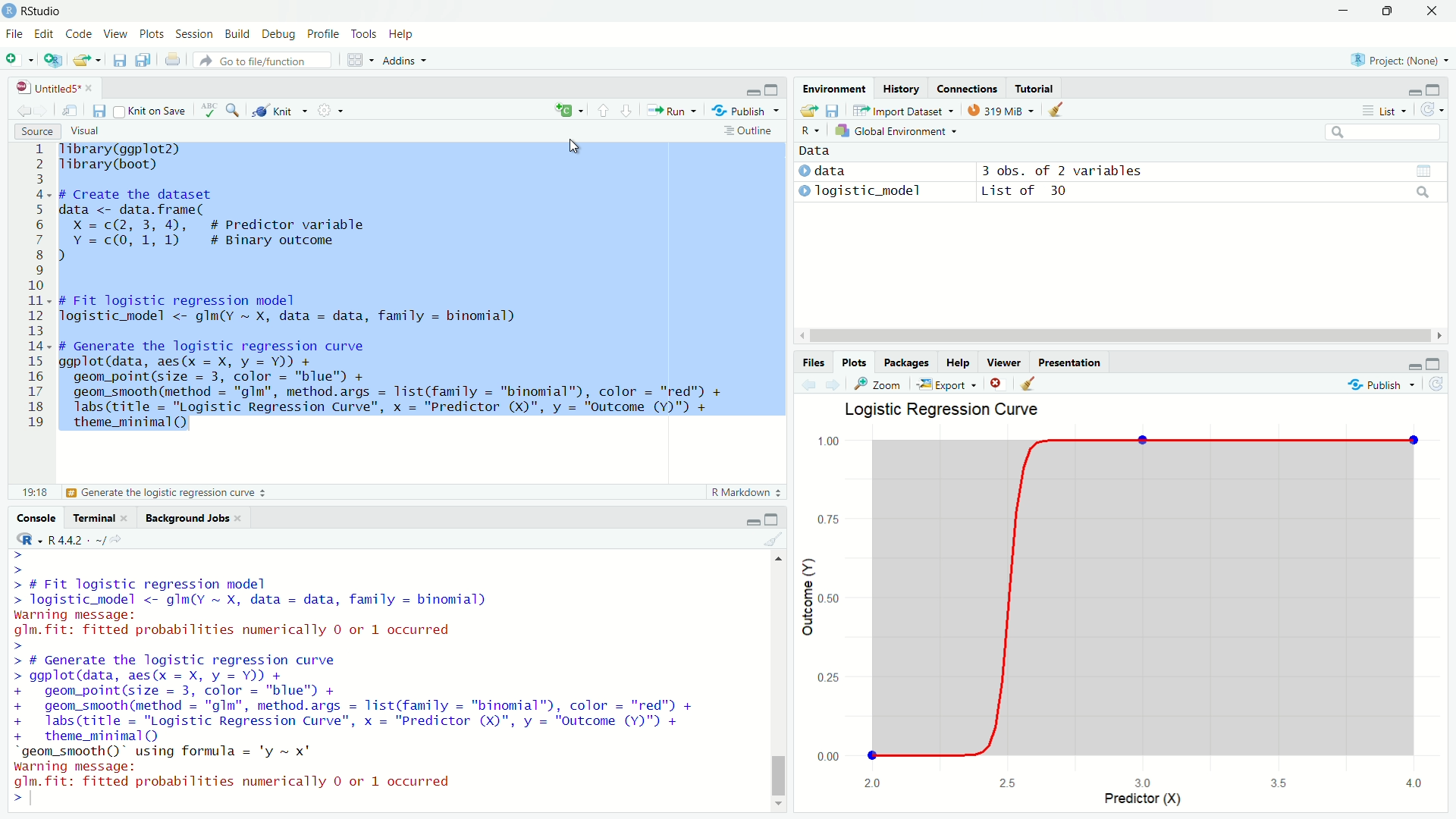 The height and width of the screenshot is (819, 1456). I want to click on Tutorial, so click(1035, 87).